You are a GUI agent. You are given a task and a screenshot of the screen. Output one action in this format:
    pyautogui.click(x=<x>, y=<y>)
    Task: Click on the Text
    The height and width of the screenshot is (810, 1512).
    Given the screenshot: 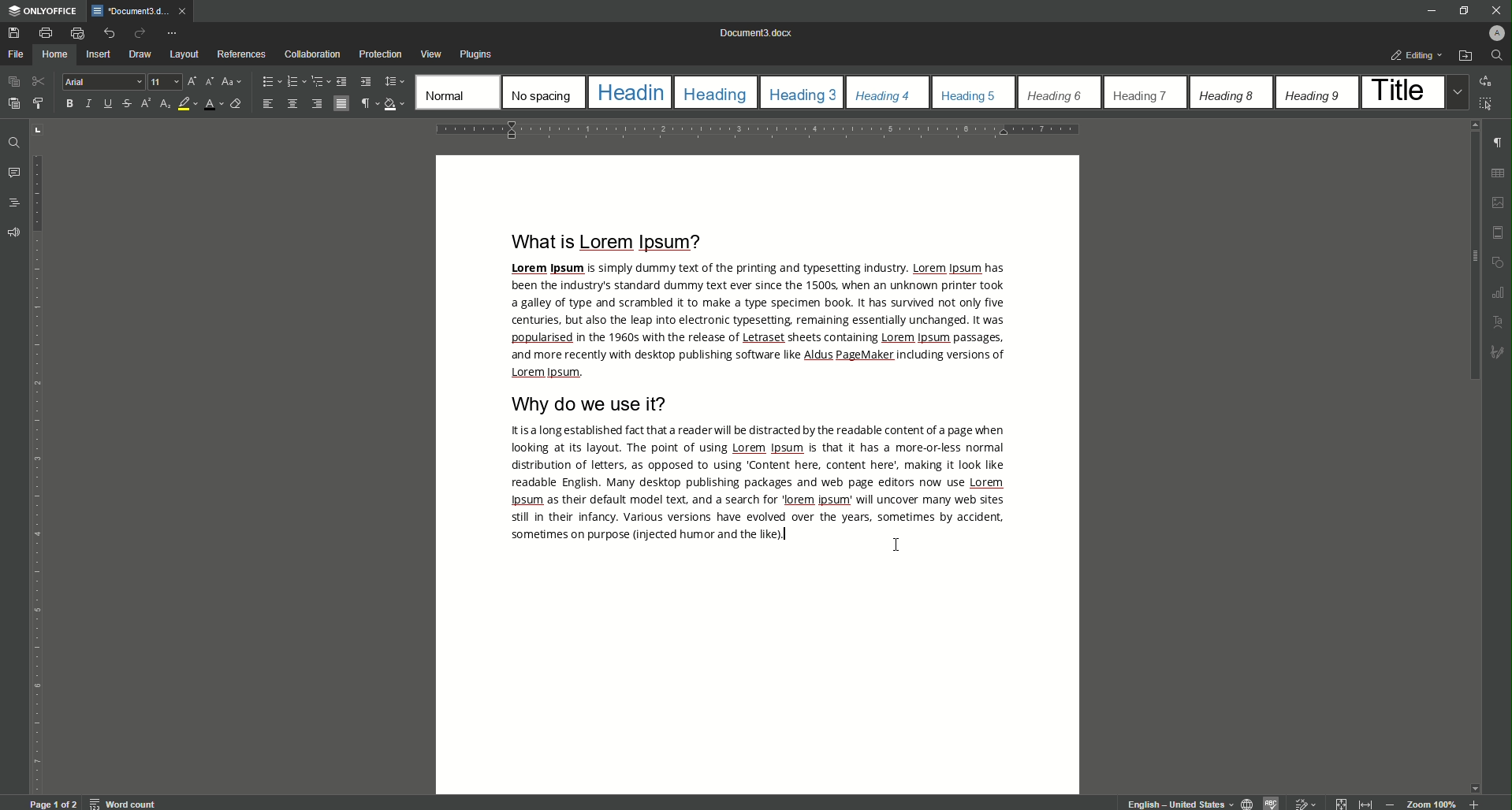 What is the action you would take?
    pyautogui.click(x=759, y=321)
    